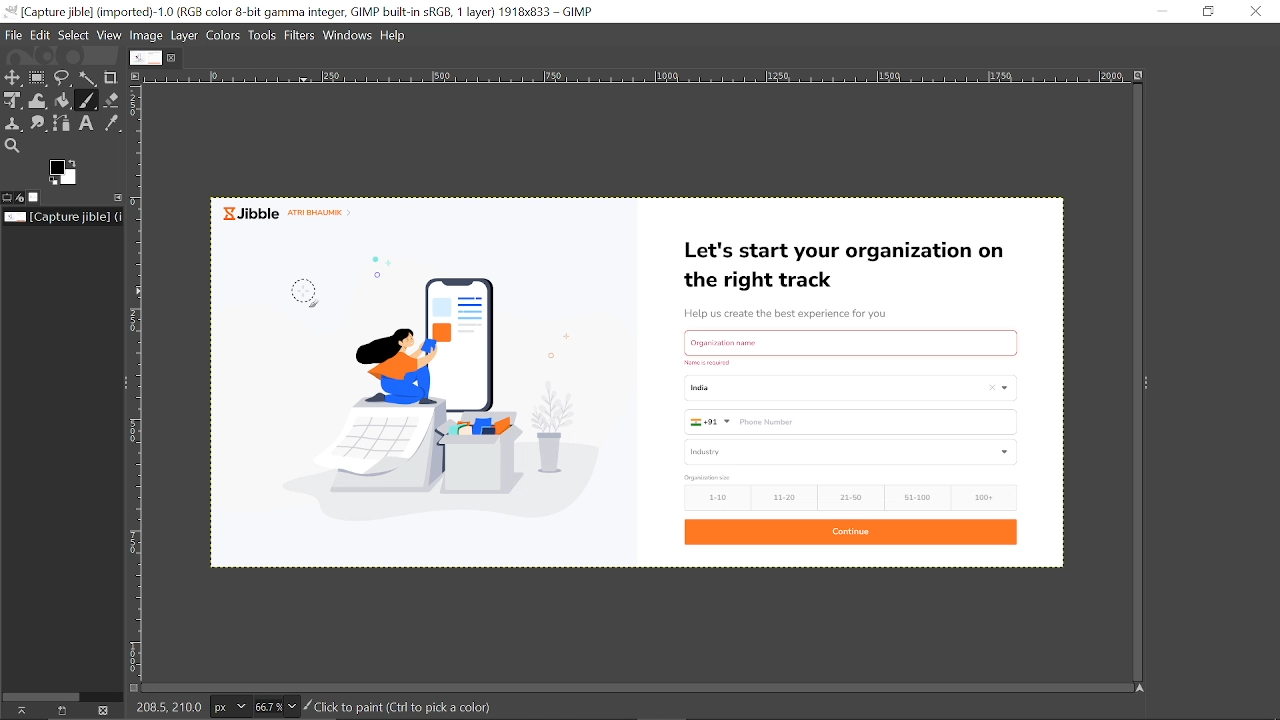 Image resolution: width=1280 pixels, height=720 pixels. Describe the element at coordinates (146, 58) in the screenshot. I see `Current image tab` at that location.